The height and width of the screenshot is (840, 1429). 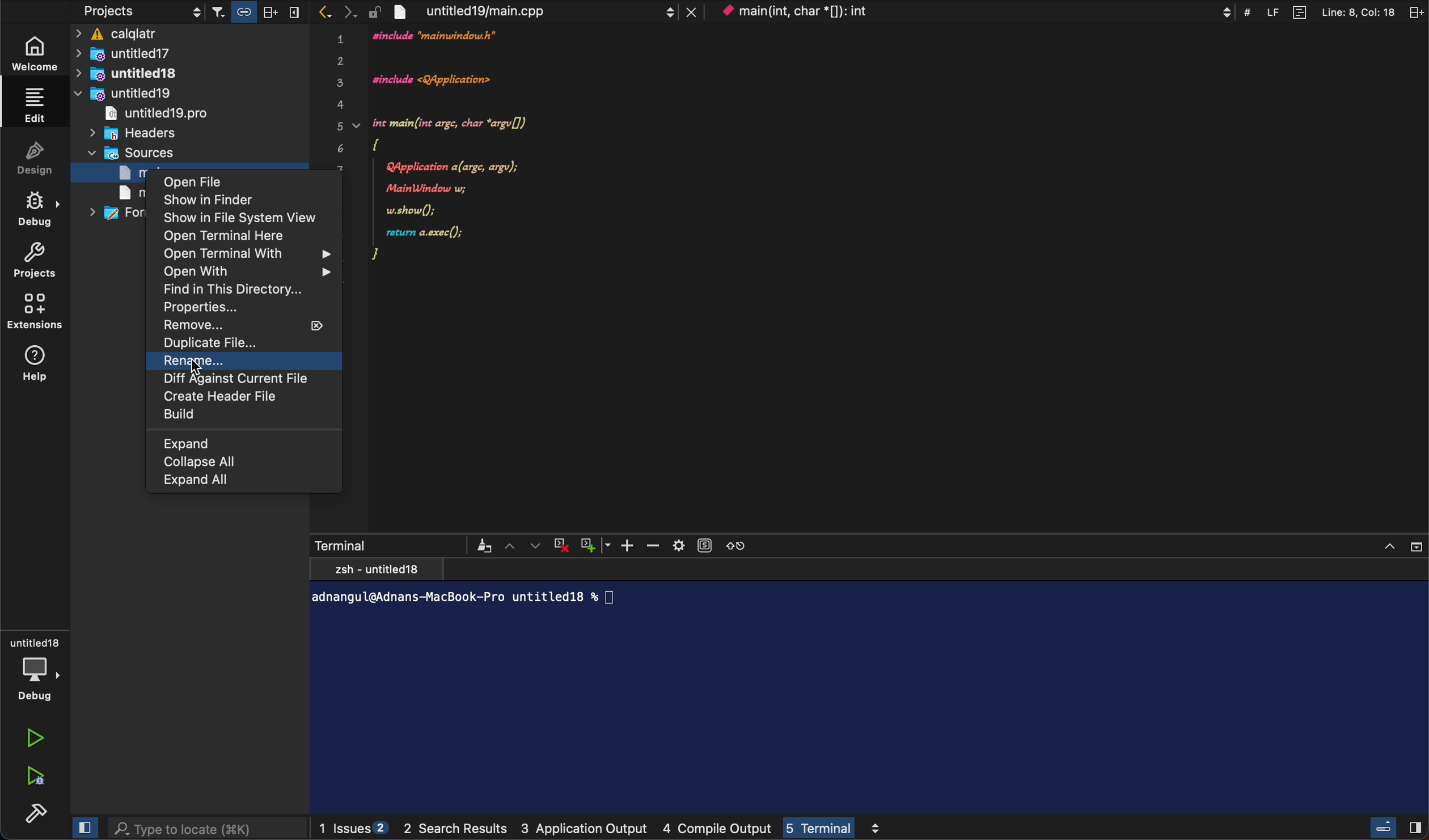 I want to click on expand all, so click(x=238, y=479).